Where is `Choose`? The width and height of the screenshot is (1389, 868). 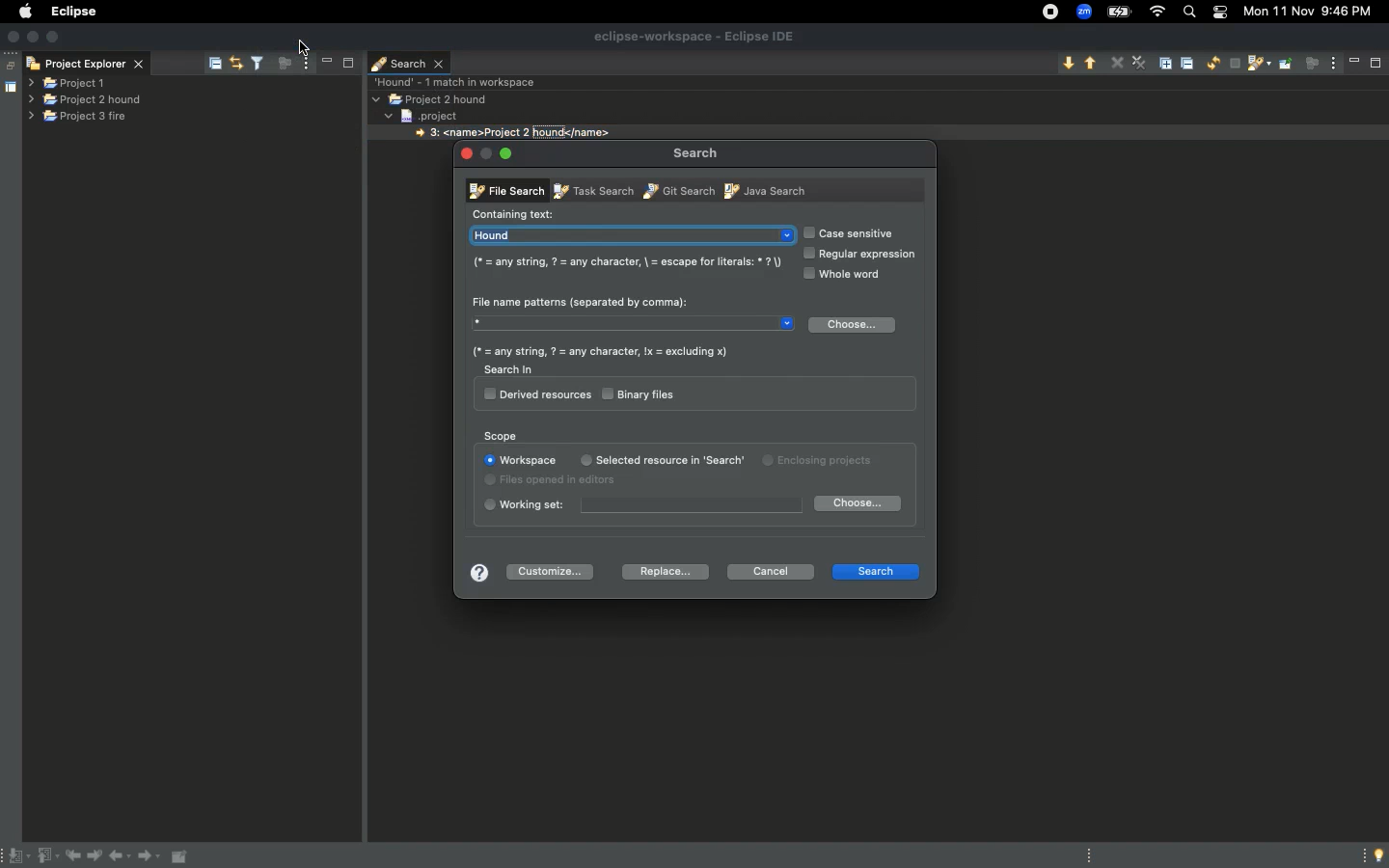 Choose is located at coordinates (857, 502).